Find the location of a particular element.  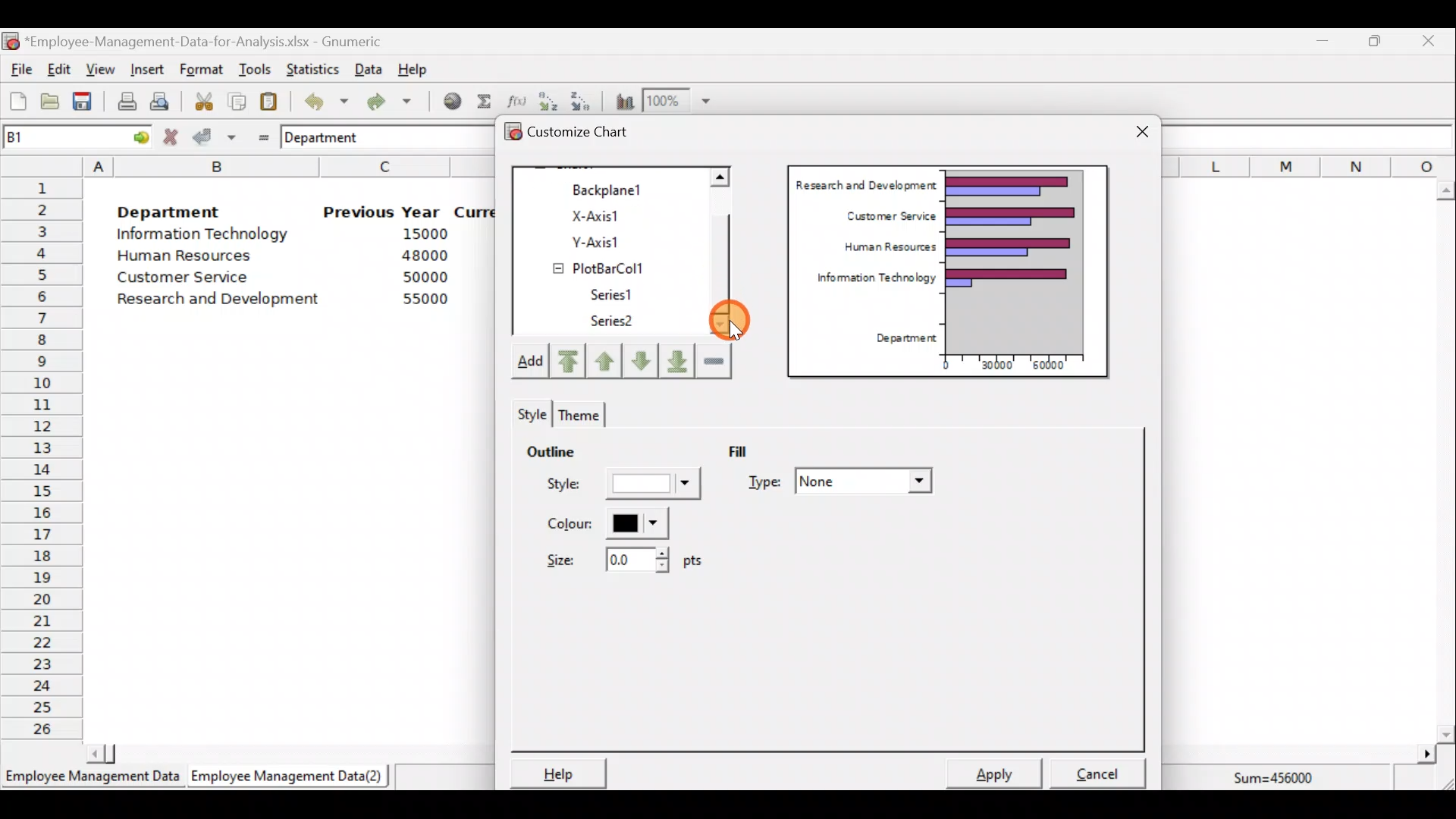

Close is located at coordinates (1427, 43).